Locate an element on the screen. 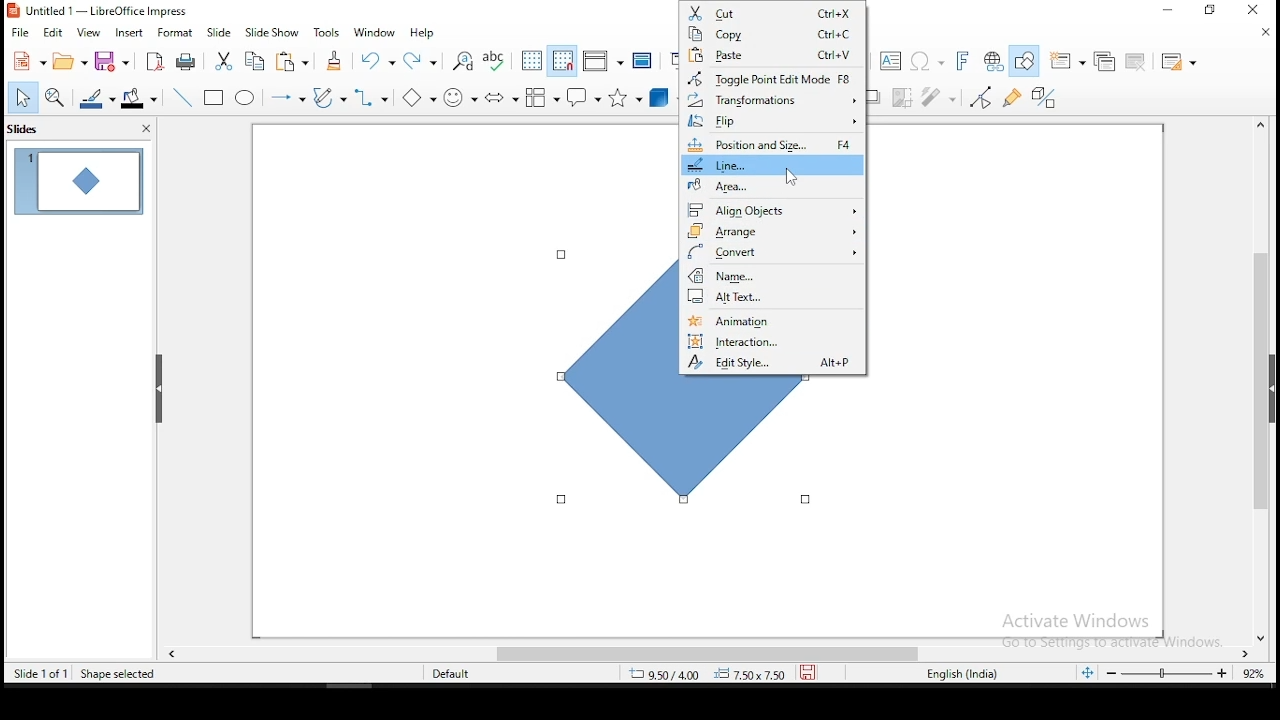 The width and height of the screenshot is (1280, 720). save is located at coordinates (808, 673).